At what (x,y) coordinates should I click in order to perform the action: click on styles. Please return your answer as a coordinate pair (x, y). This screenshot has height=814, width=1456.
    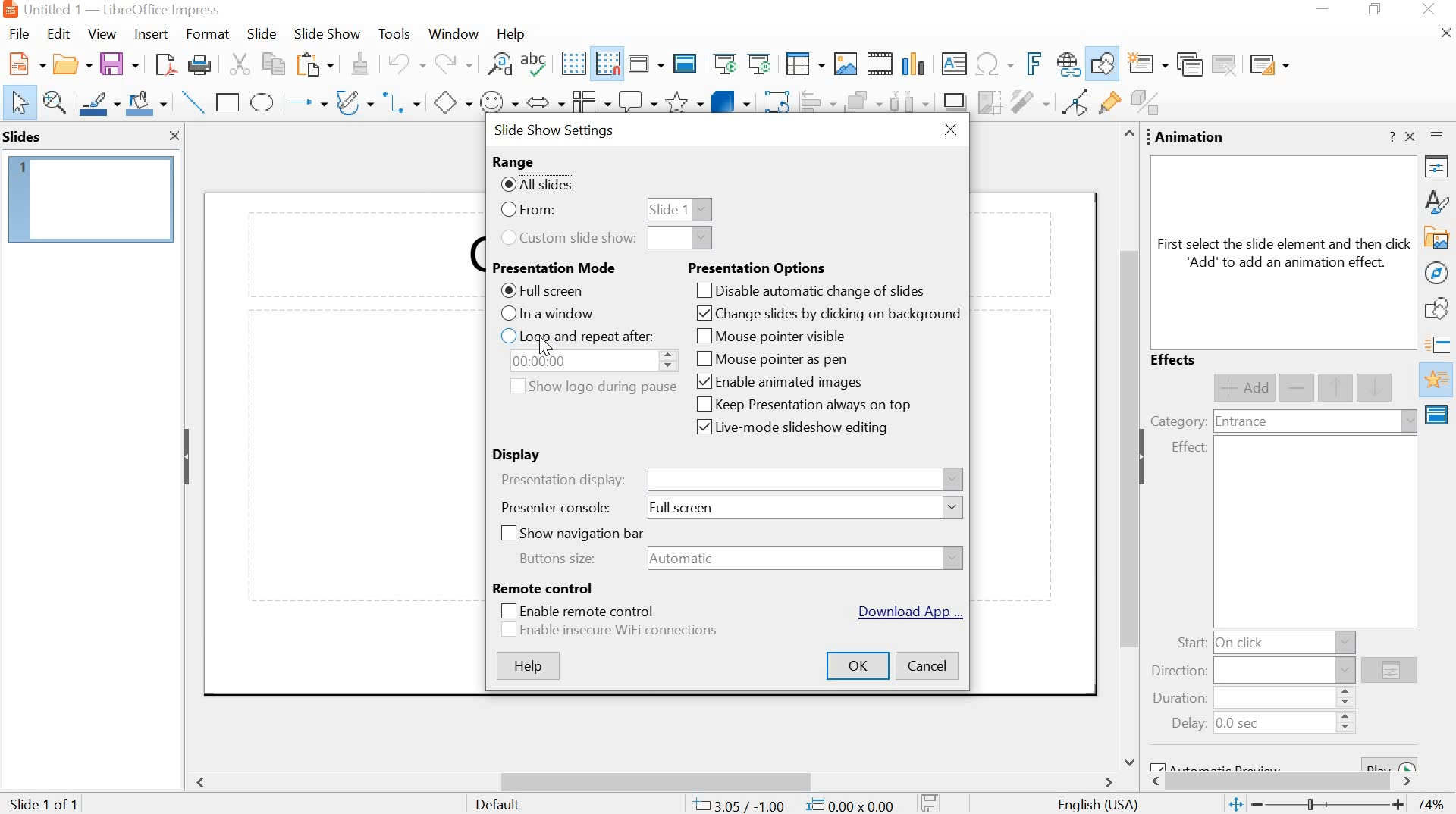
    Looking at the image, I should click on (1439, 201).